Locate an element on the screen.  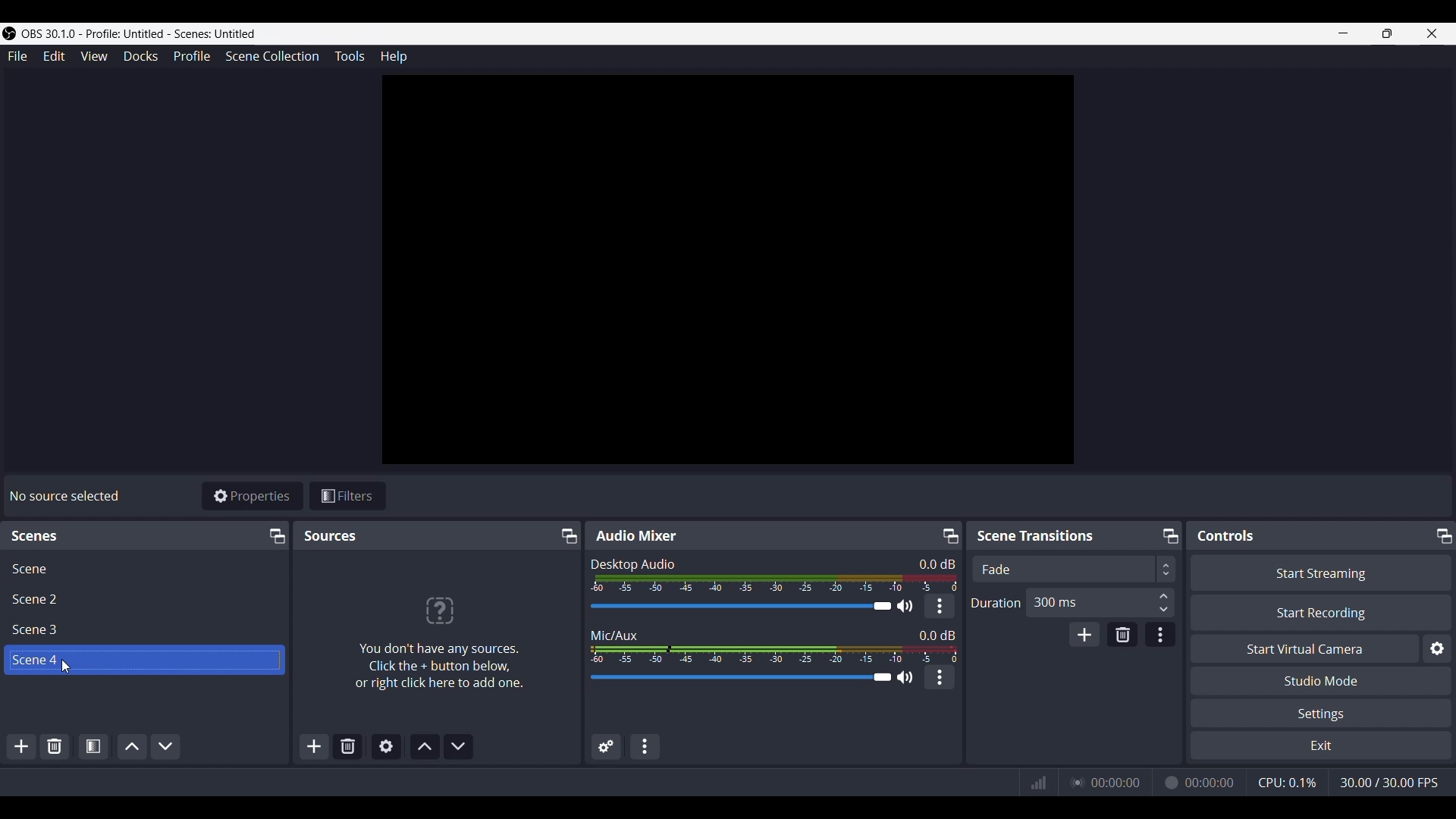
Docks is located at coordinates (141, 57).